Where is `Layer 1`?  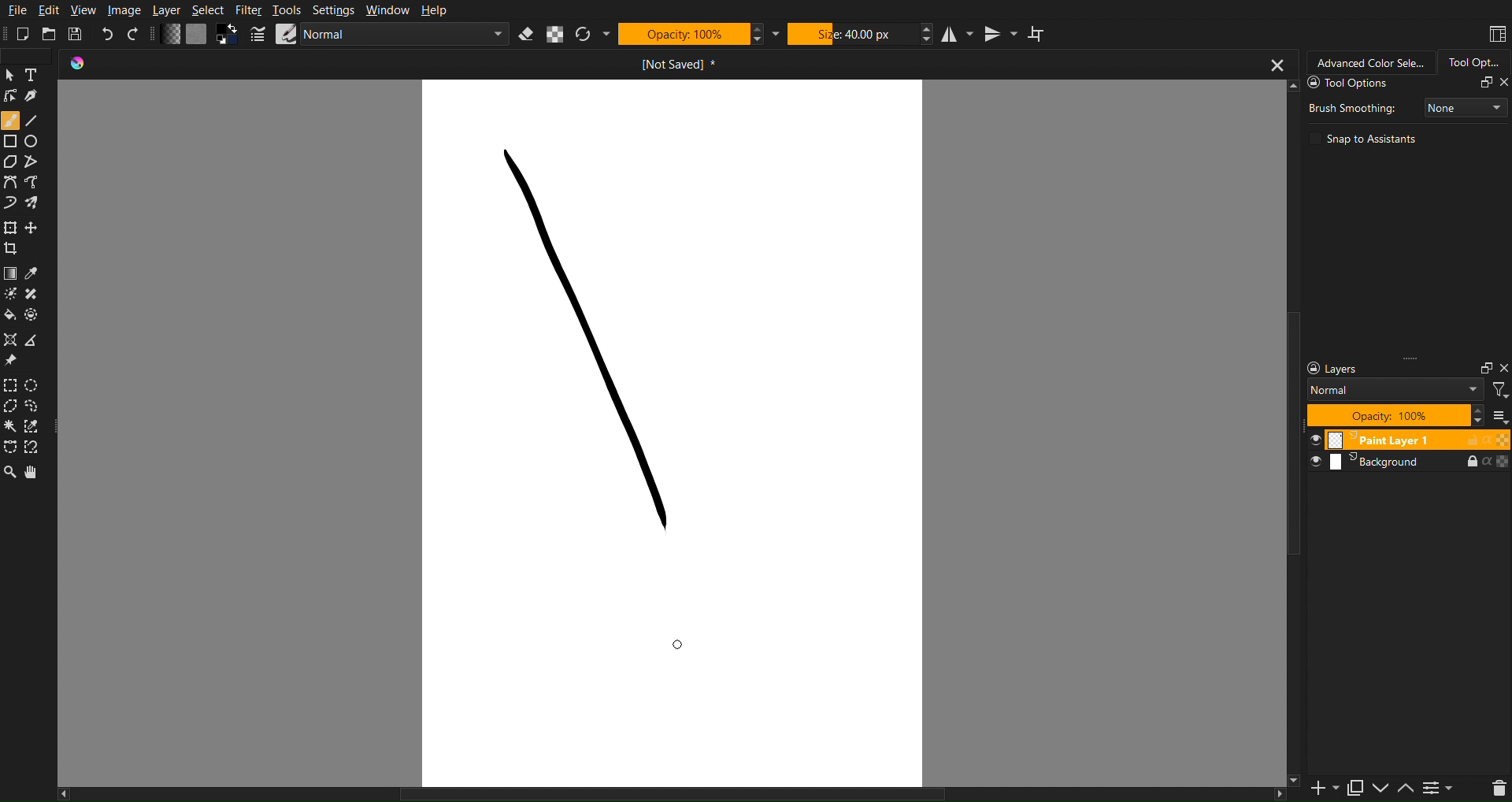
Layer 1 is located at coordinates (1406, 439).